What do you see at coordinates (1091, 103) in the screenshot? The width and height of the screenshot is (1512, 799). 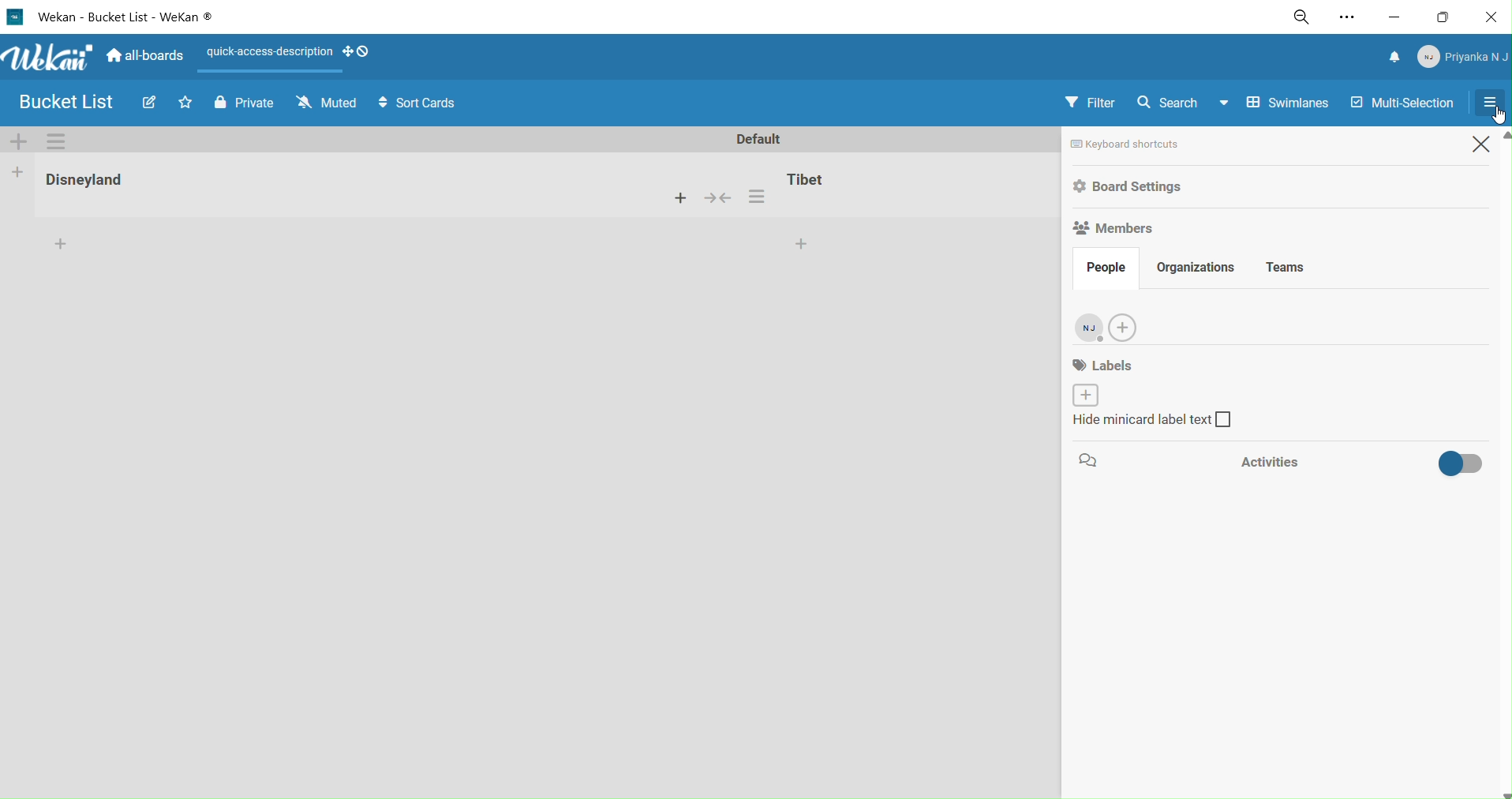 I see `filter` at bounding box center [1091, 103].